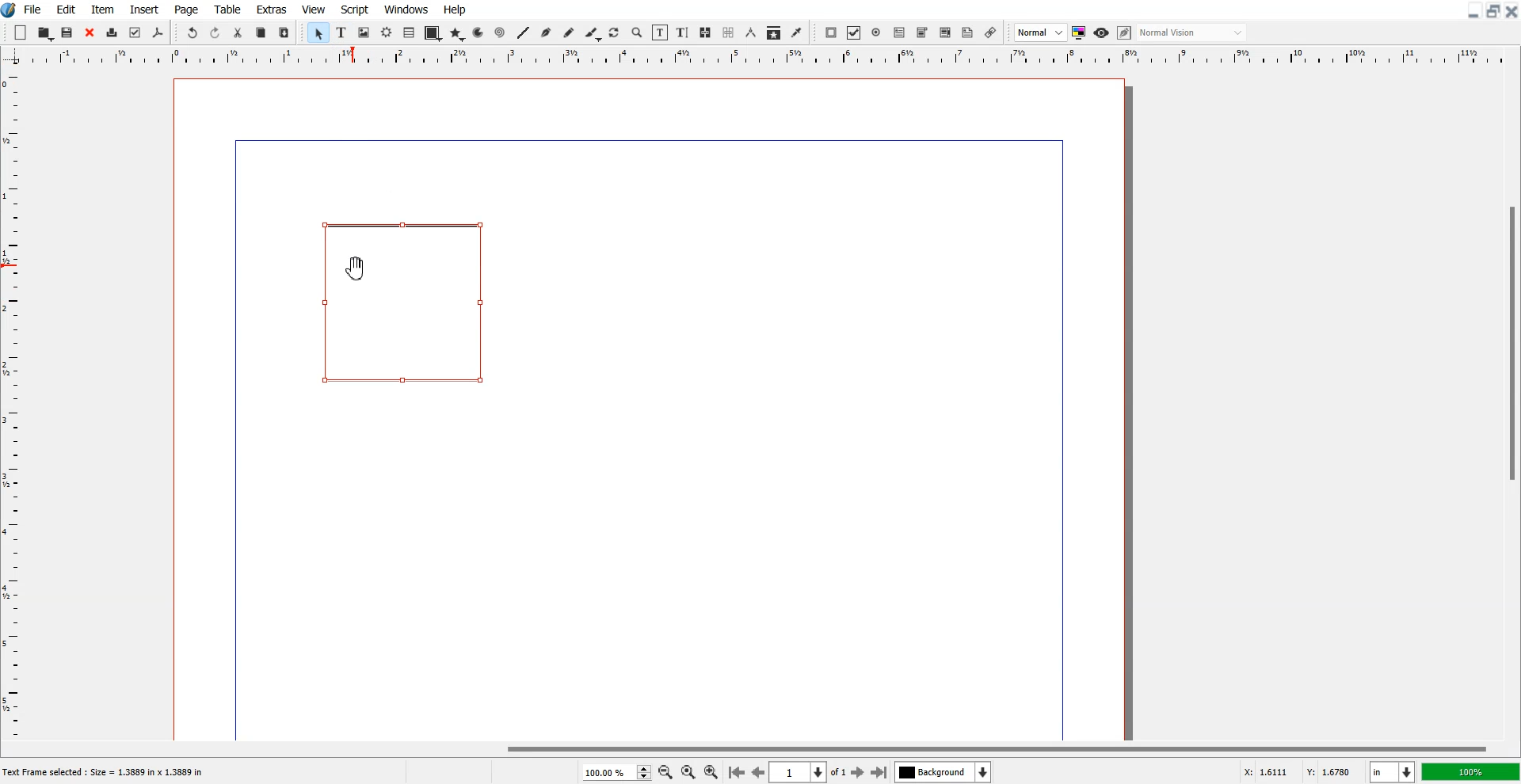 Image resolution: width=1521 pixels, height=784 pixels. I want to click on Extras, so click(272, 9).